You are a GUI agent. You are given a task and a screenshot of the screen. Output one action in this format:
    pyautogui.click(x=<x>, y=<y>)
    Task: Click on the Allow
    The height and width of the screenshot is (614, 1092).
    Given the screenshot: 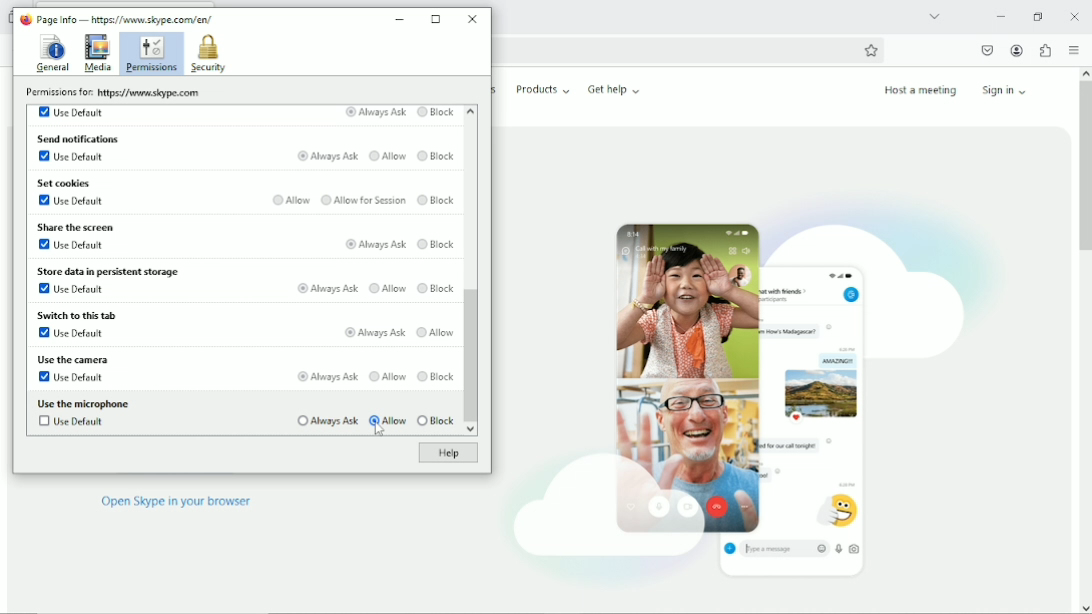 What is the action you would take?
    pyautogui.click(x=388, y=287)
    